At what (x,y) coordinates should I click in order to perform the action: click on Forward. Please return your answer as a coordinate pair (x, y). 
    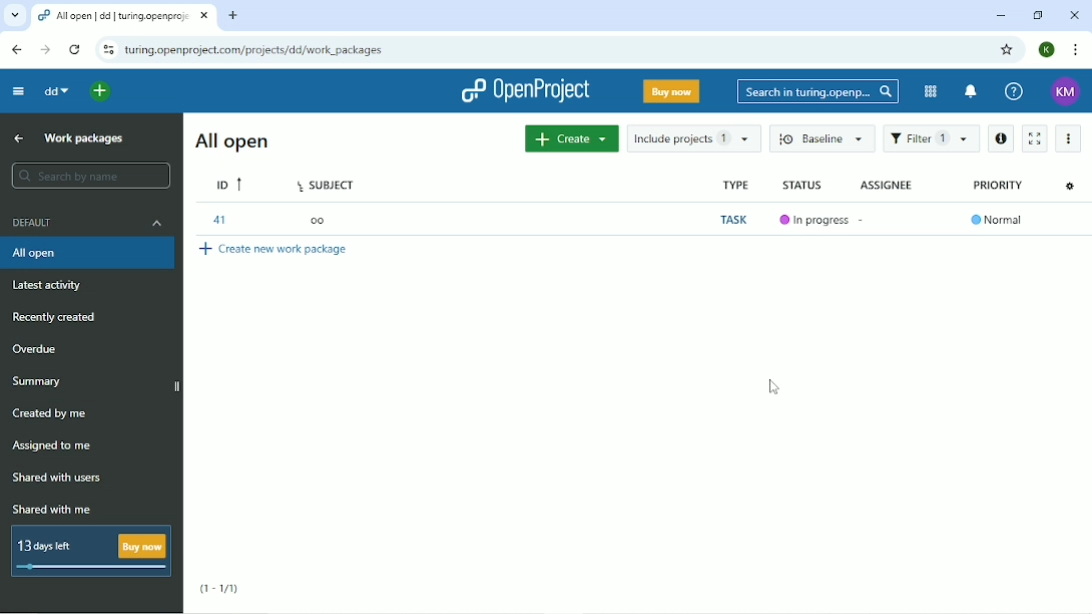
    Looking at the image, I should click on (48, 50).